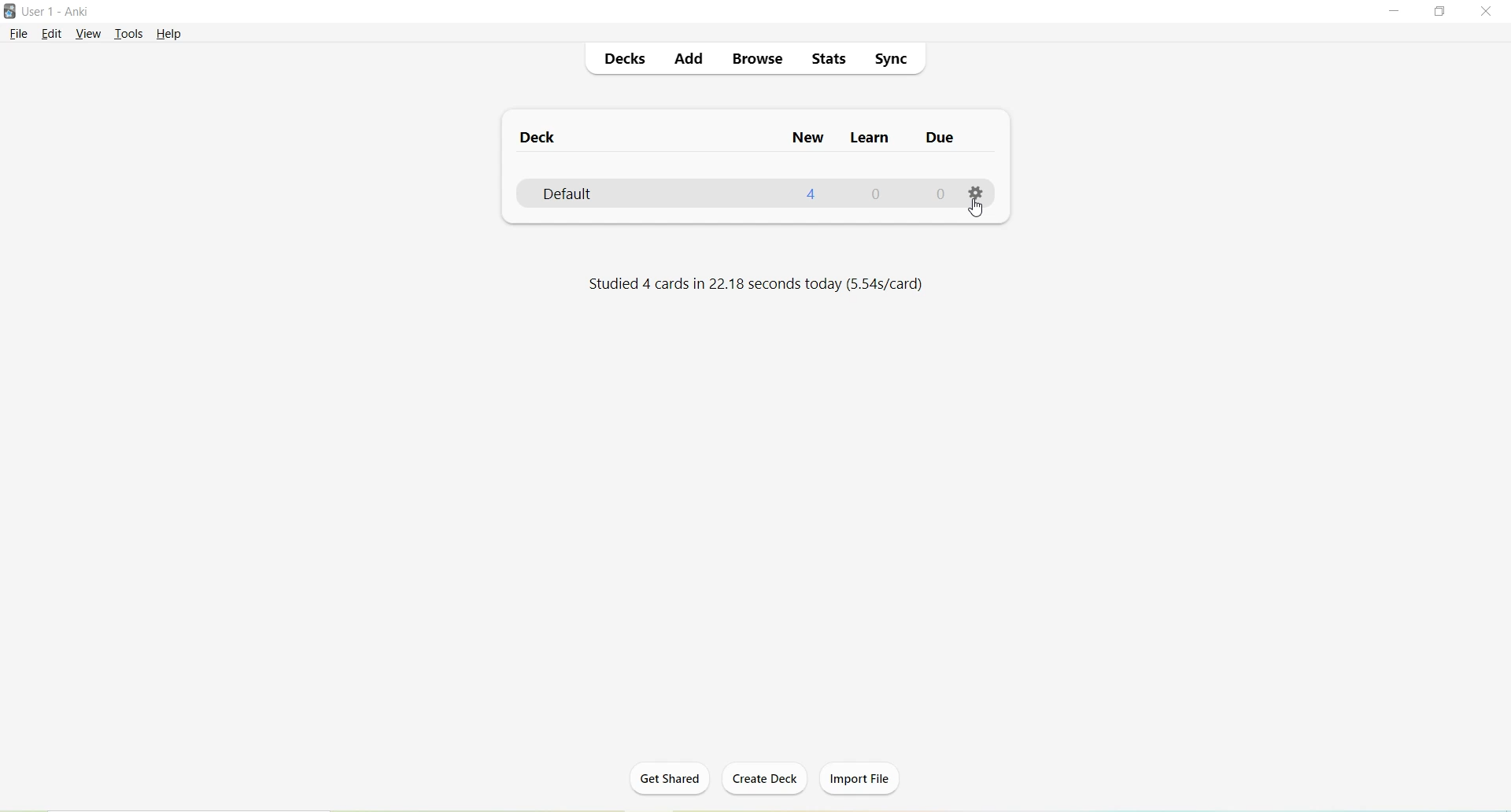 This screenshot has width=1511, height=812. Describe the element at coordinates (859, 779) in the screenshot. I see `Import File` at that location.